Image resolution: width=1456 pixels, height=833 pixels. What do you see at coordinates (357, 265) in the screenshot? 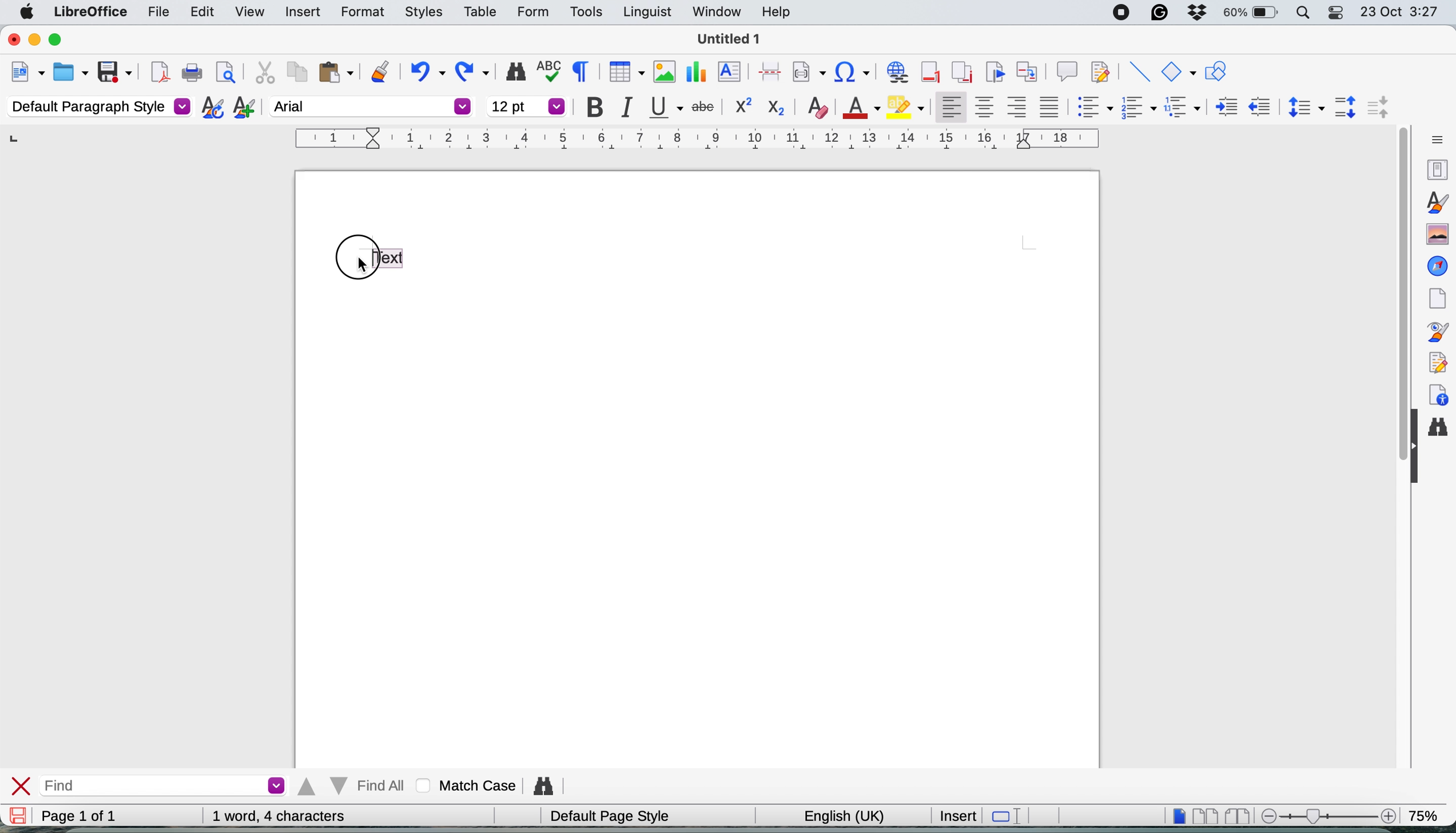
I see `cursor` at bounding box center [357, 265].